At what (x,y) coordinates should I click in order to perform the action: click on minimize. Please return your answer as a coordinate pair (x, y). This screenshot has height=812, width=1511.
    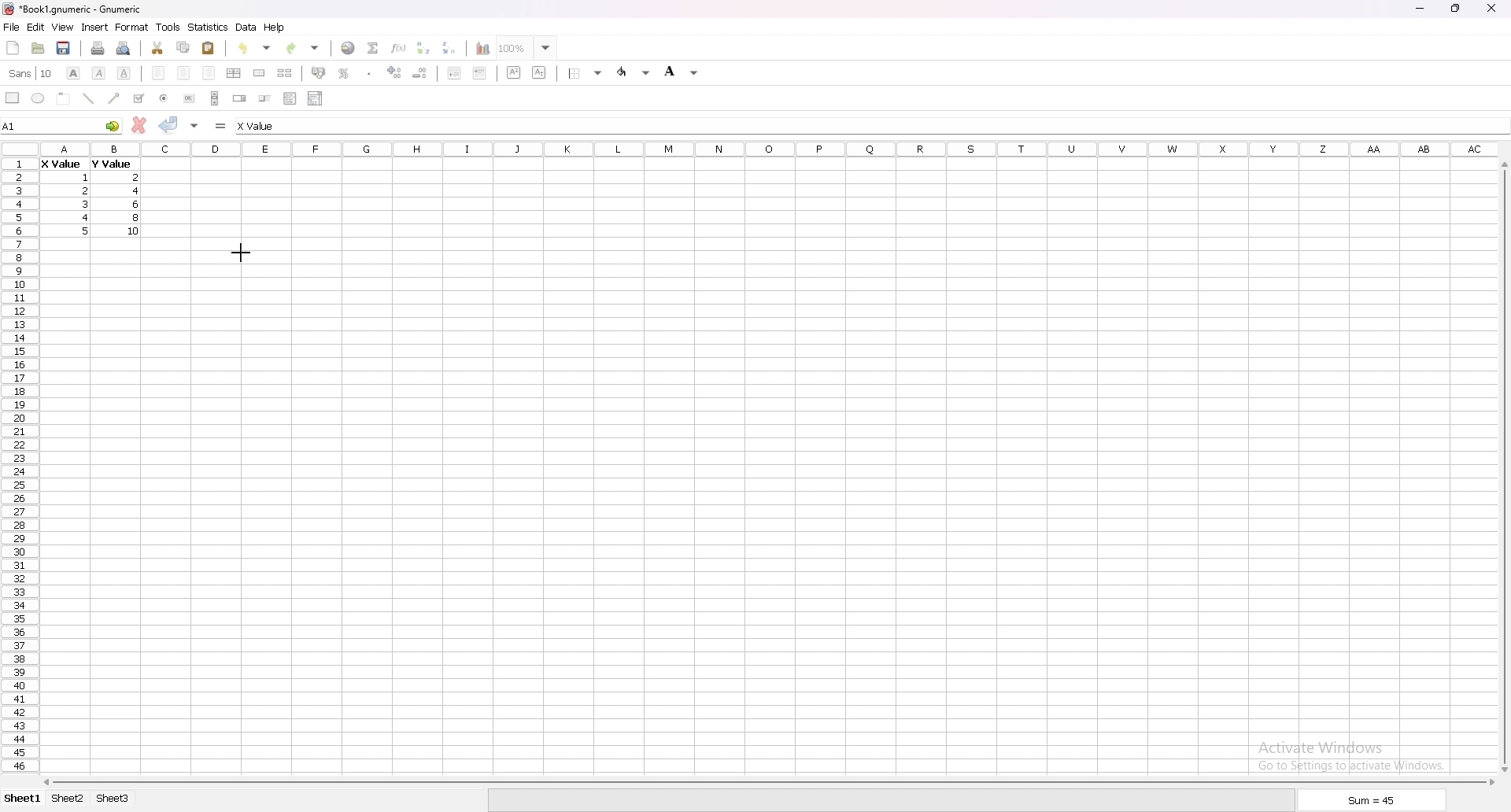
    Looking at the image, I should click on (1420, 9).